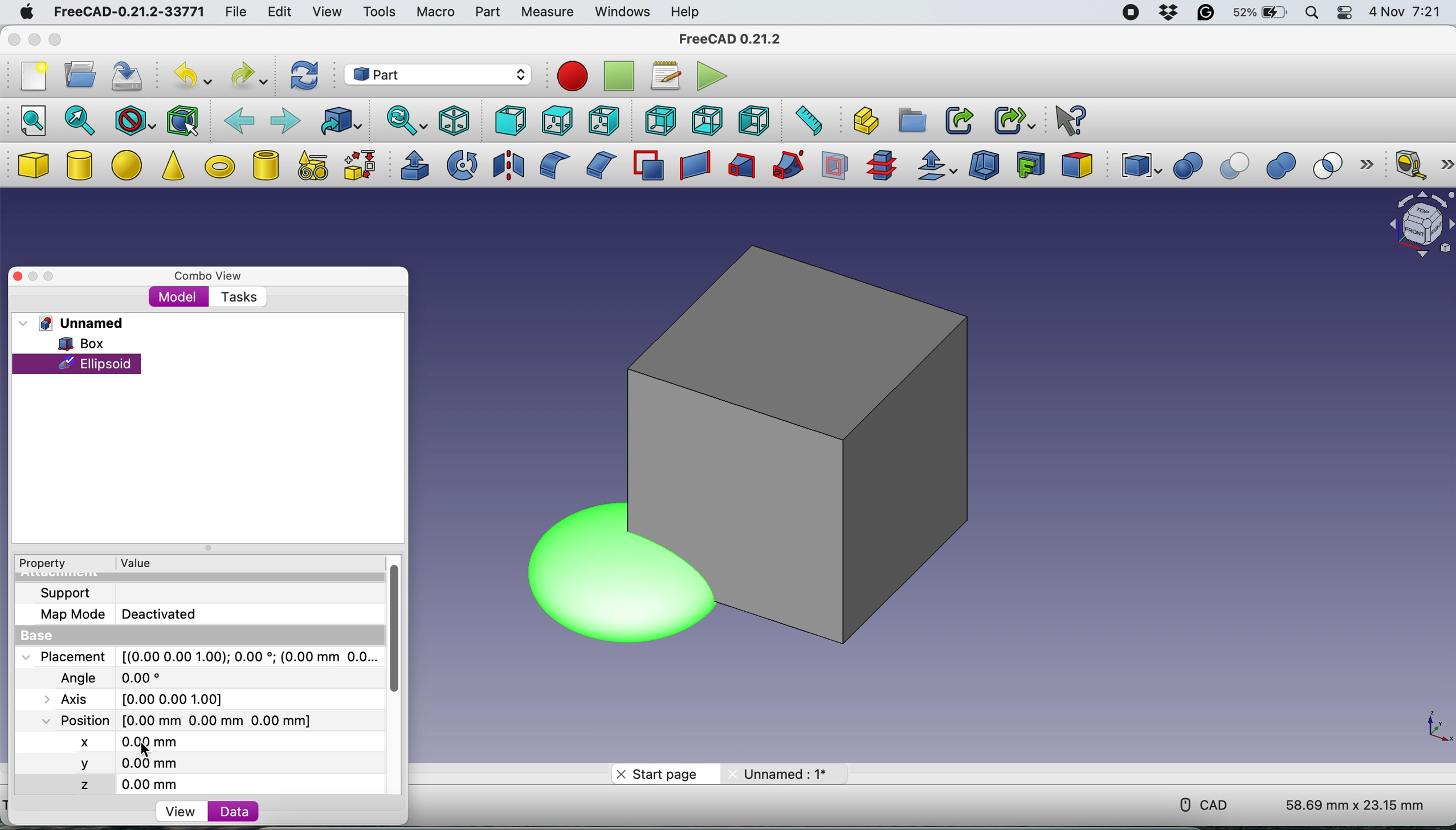  I want to click on start page, so click(664, 773).